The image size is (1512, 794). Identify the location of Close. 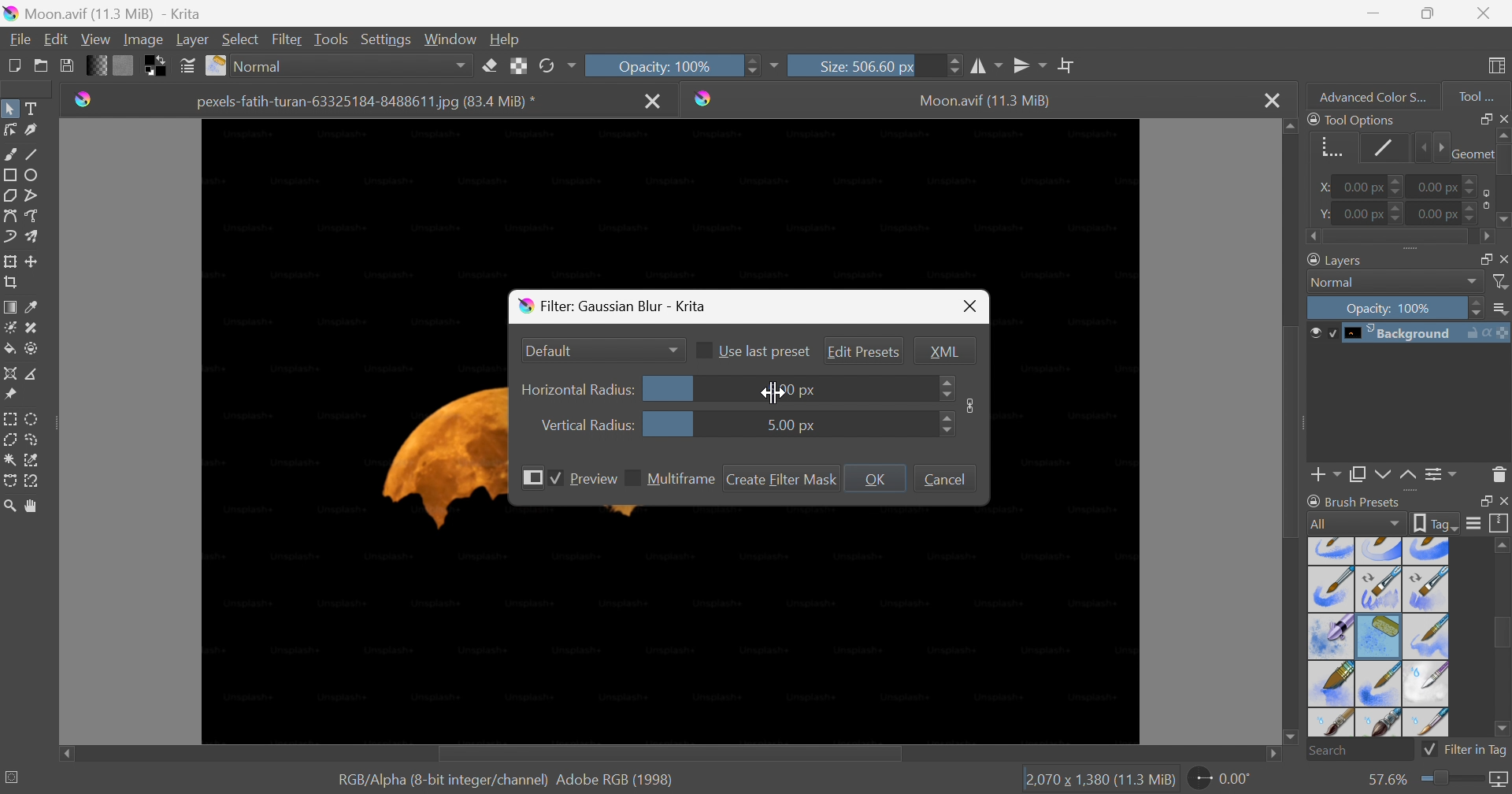
(971, 307).